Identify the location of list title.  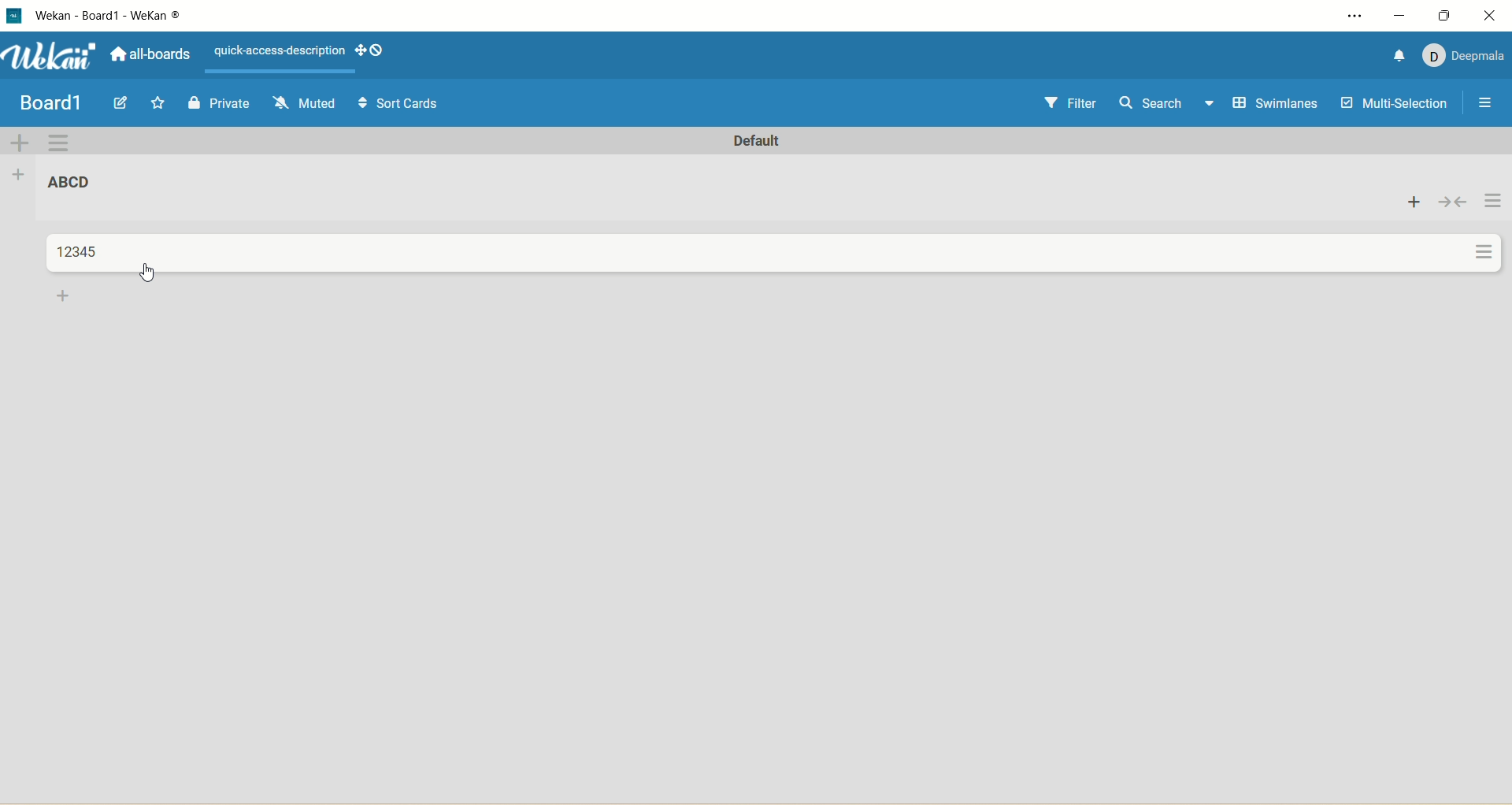
(77, 187).